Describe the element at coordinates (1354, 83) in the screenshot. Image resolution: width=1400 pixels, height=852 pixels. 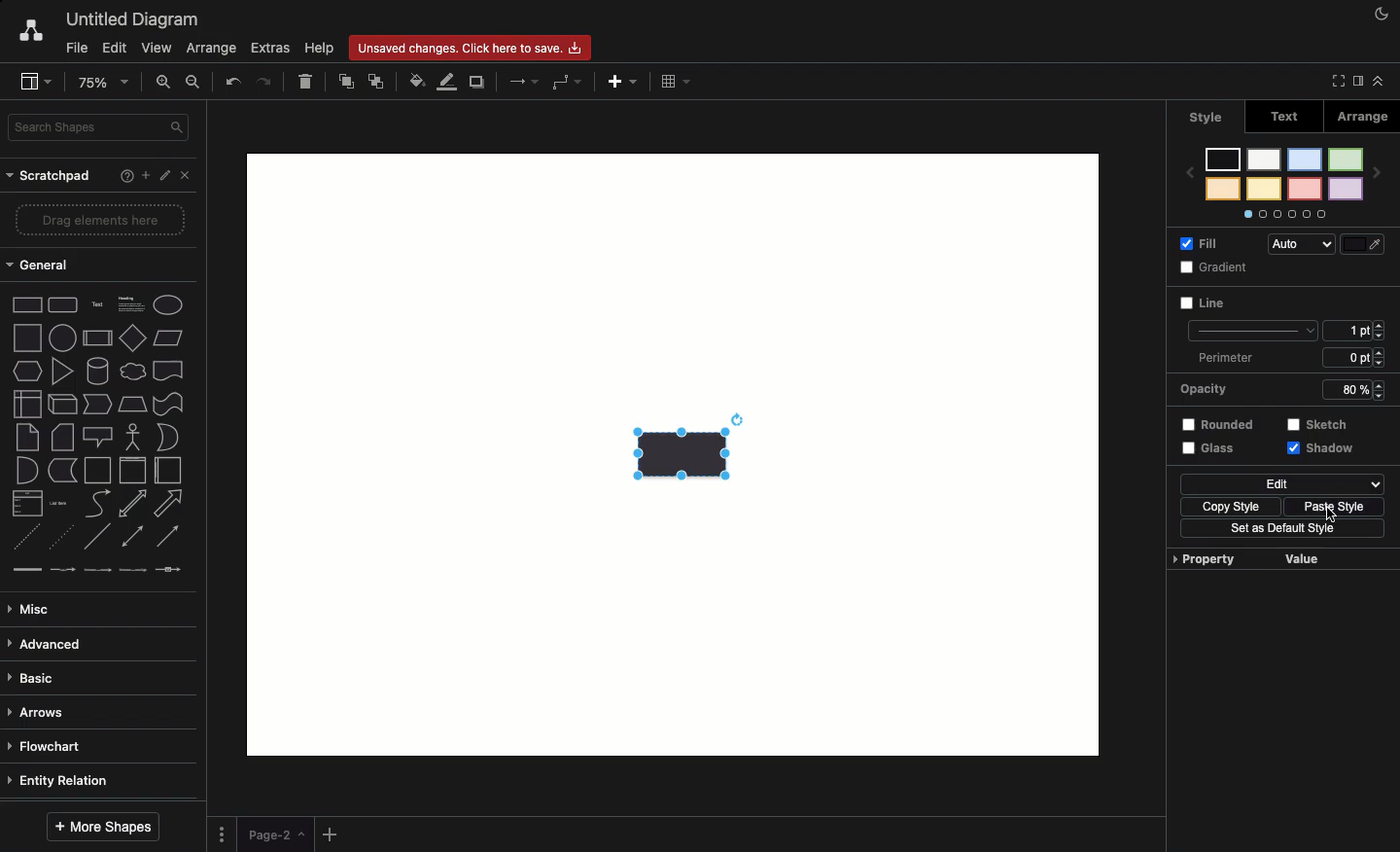
I see `Sidebar` at that location.